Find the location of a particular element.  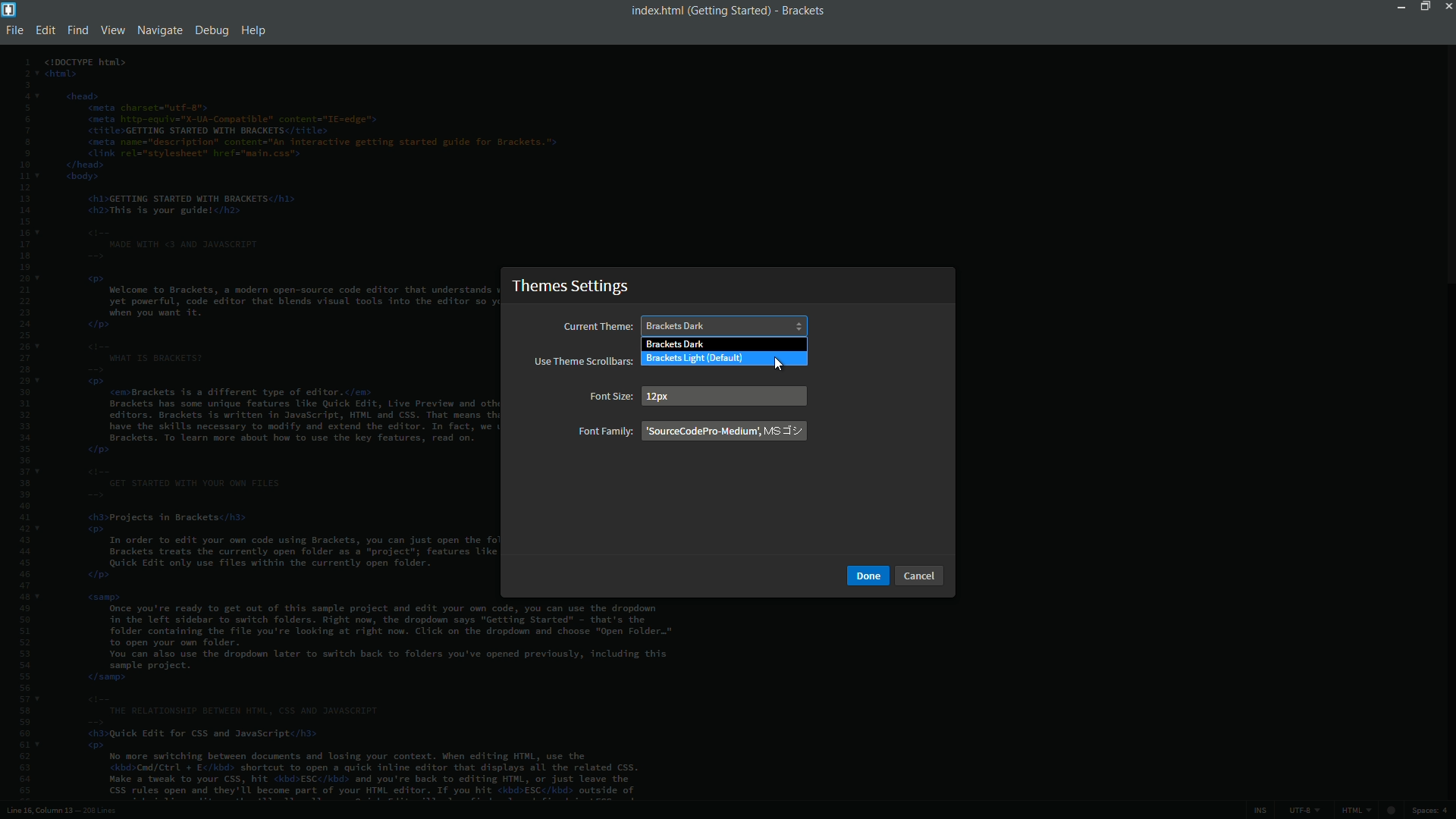

help menu is located at coordinates (254, 32).